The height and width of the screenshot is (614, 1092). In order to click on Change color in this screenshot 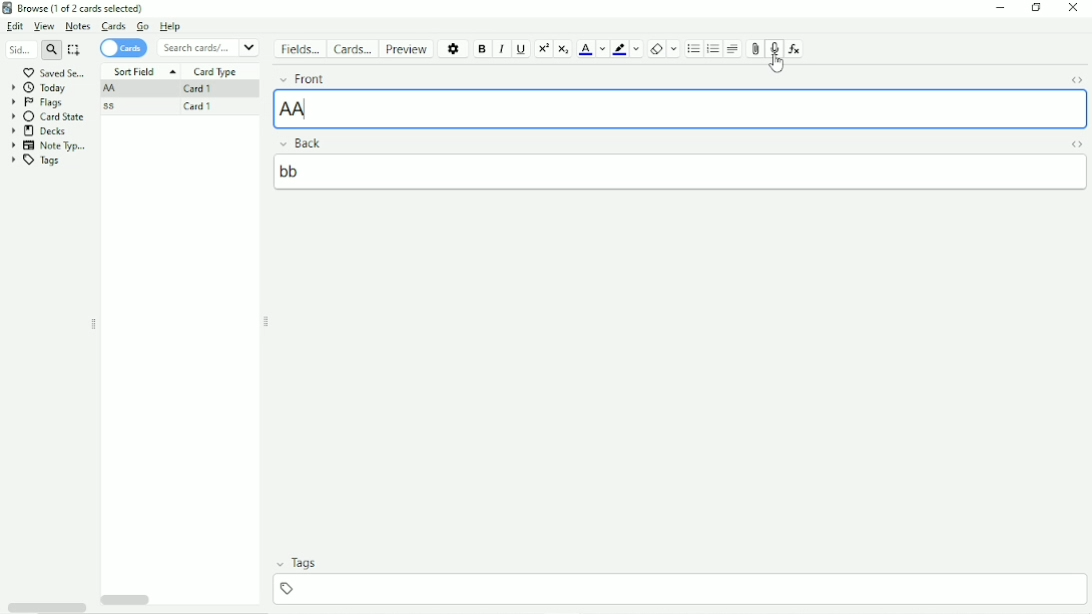, I will do `click(603, 48)`.